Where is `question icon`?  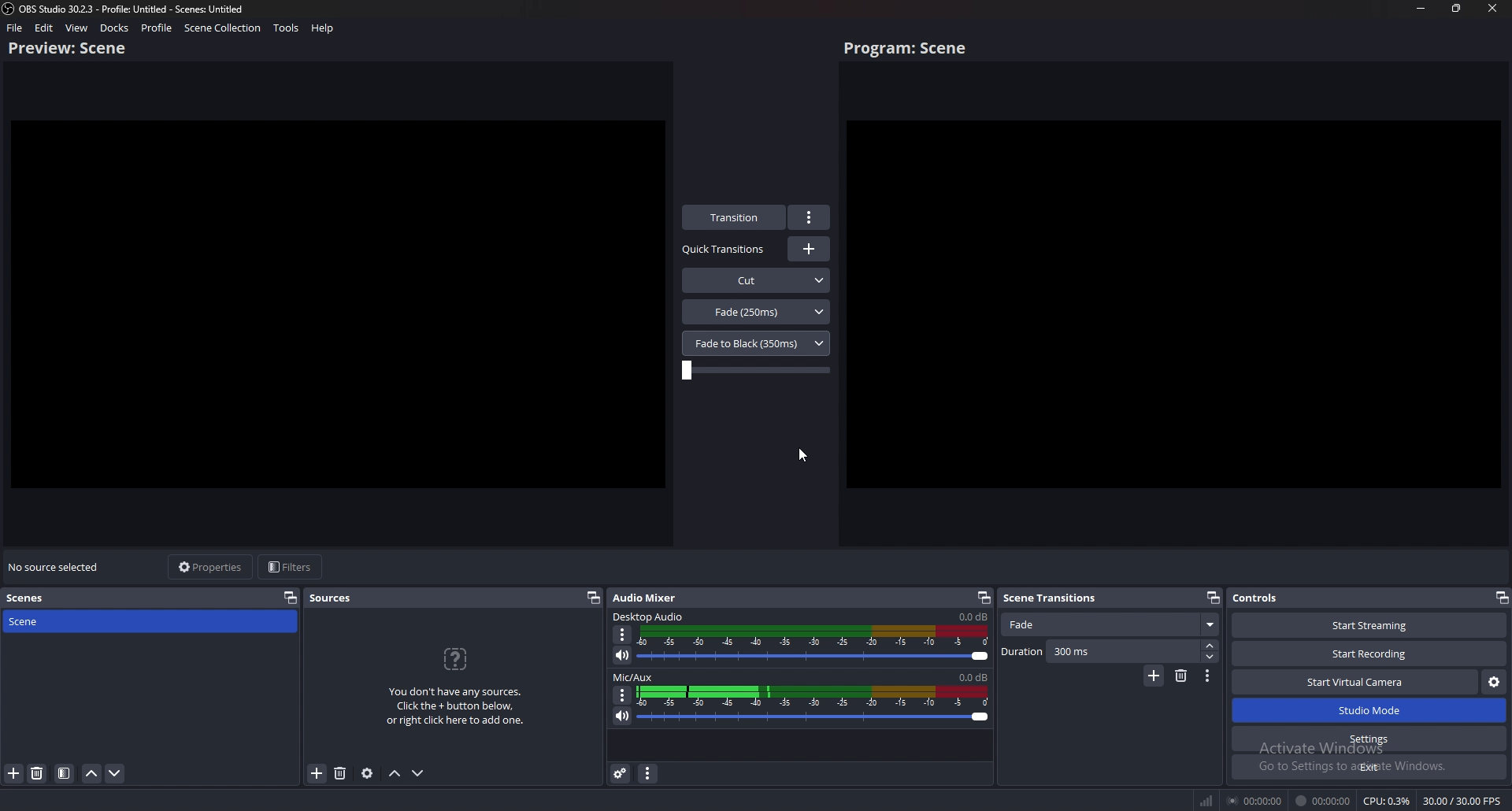
question icon is located at coordinates (457, 659).